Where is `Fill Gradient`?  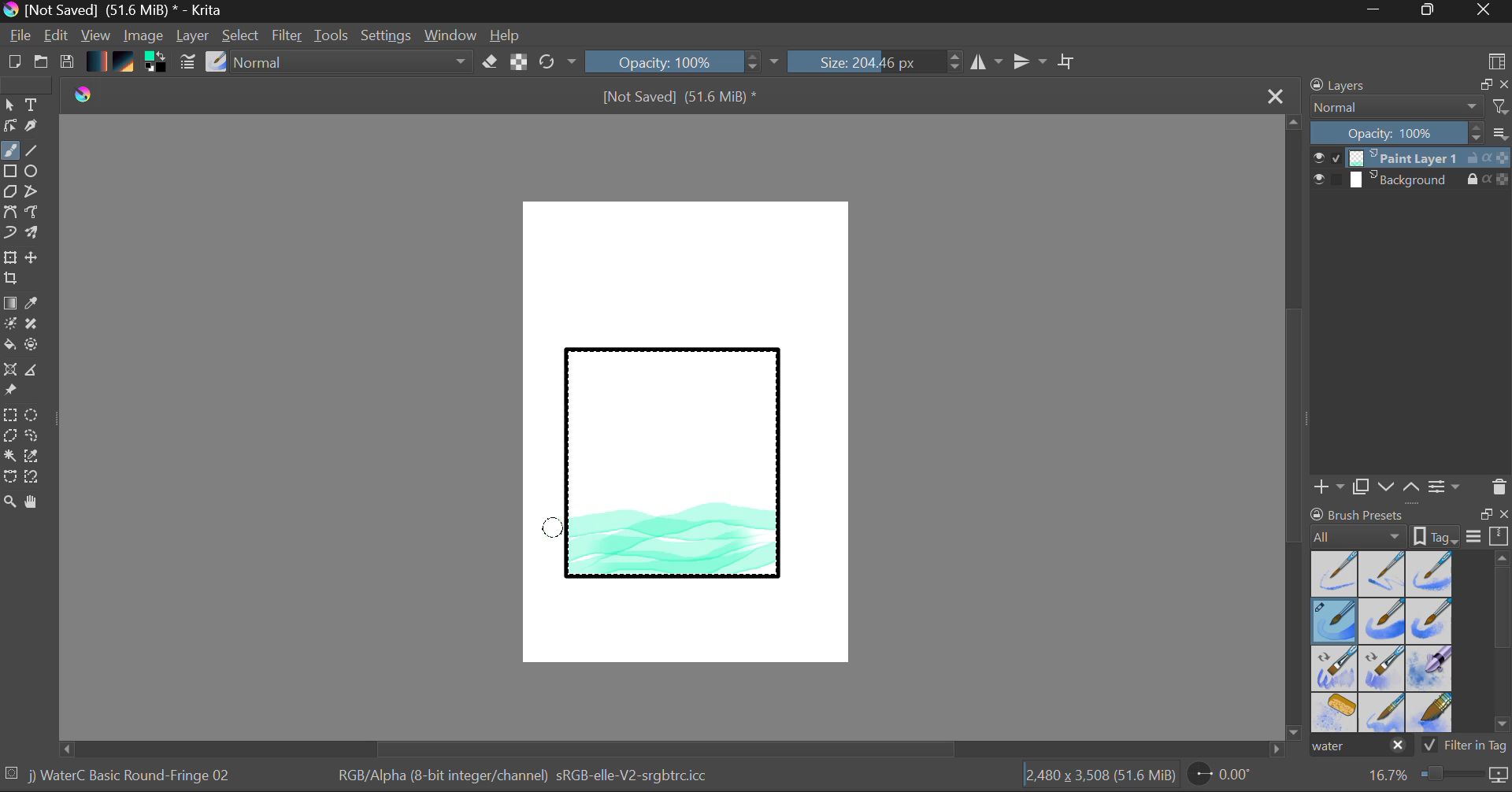 Fill Gradient is located at coordinates (10, 302).